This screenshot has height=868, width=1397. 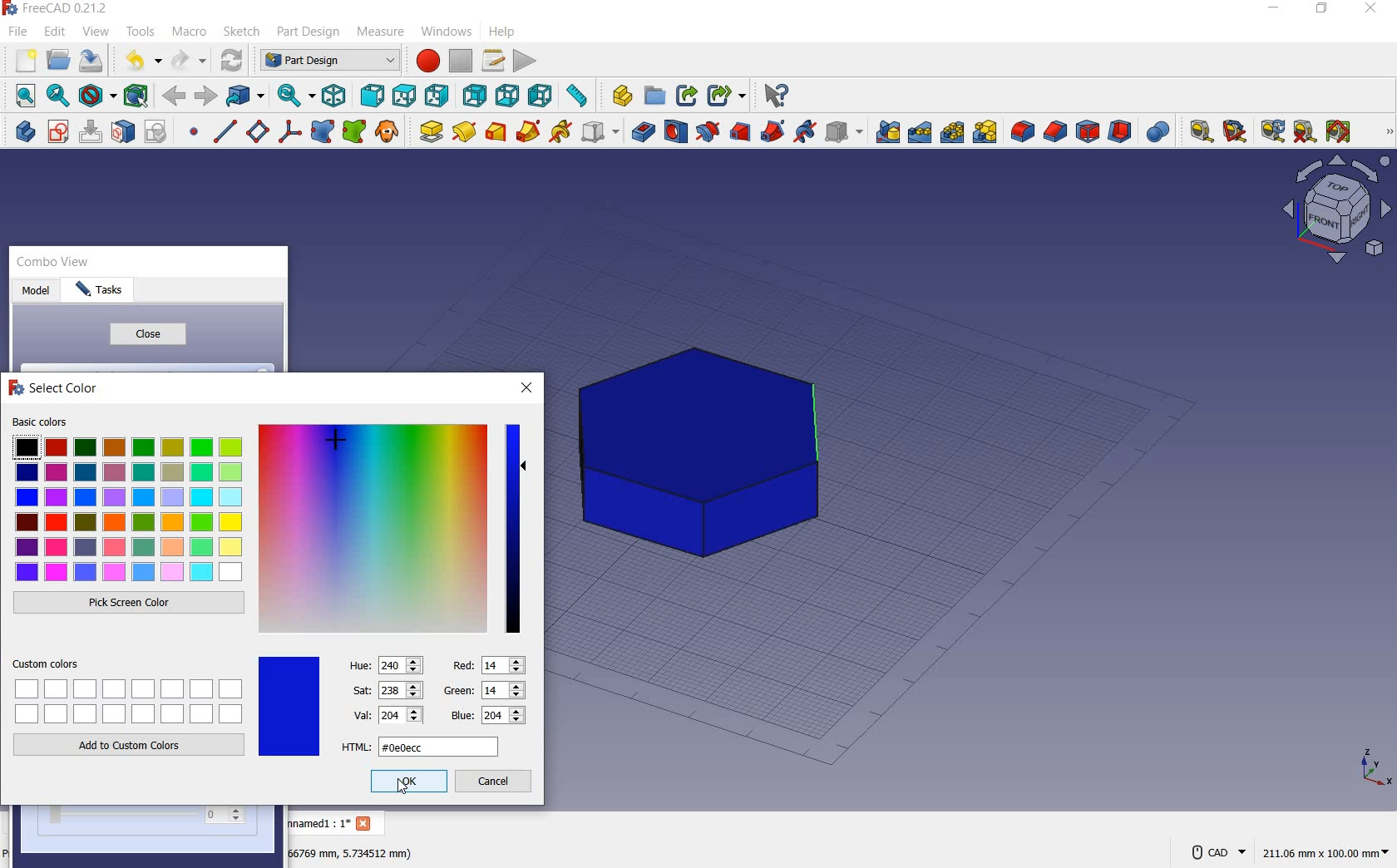 I want to click on linear pattern, so click(x=920, y=133).